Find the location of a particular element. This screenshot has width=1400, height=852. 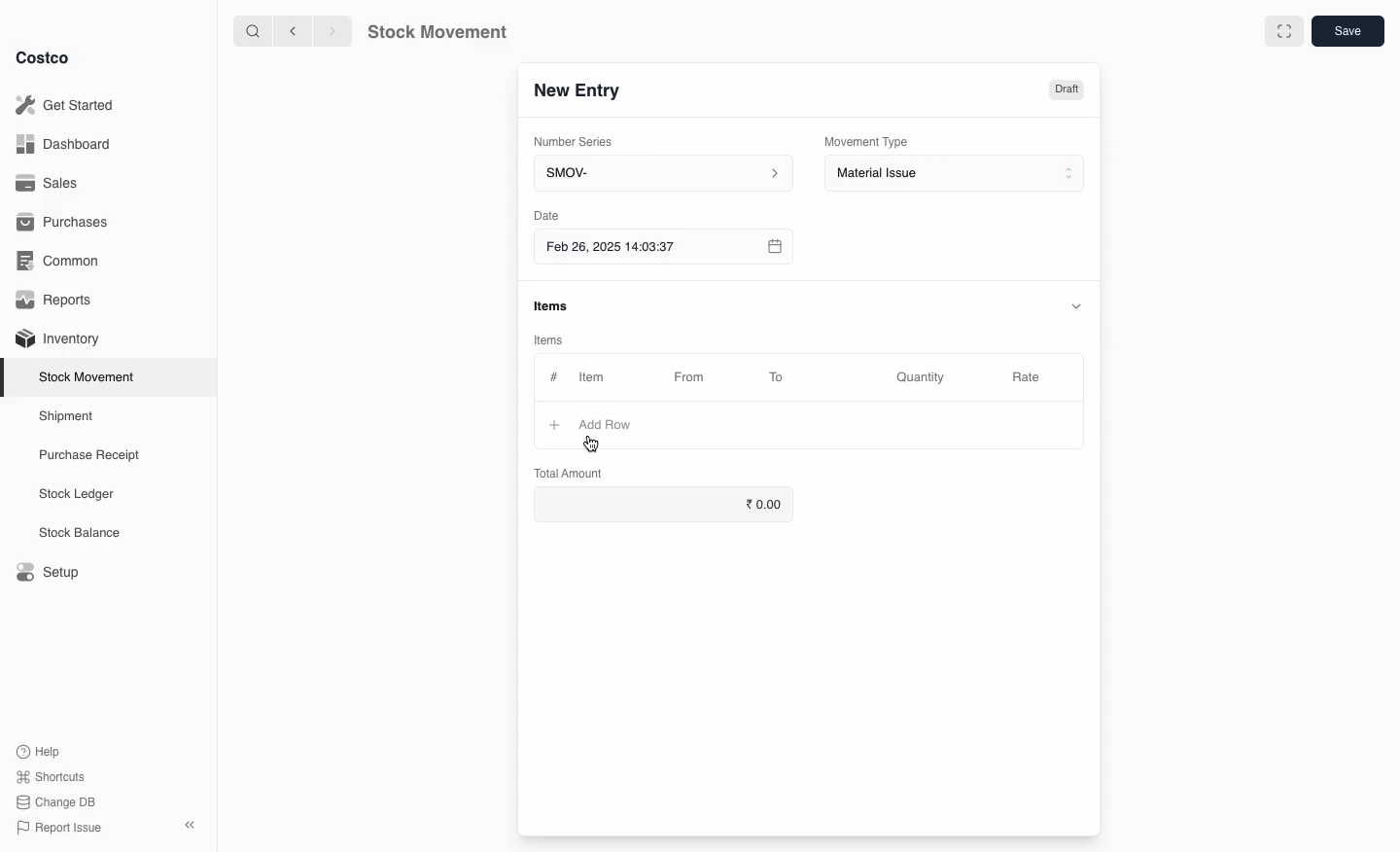

save is located at coordinates (1347, 30).